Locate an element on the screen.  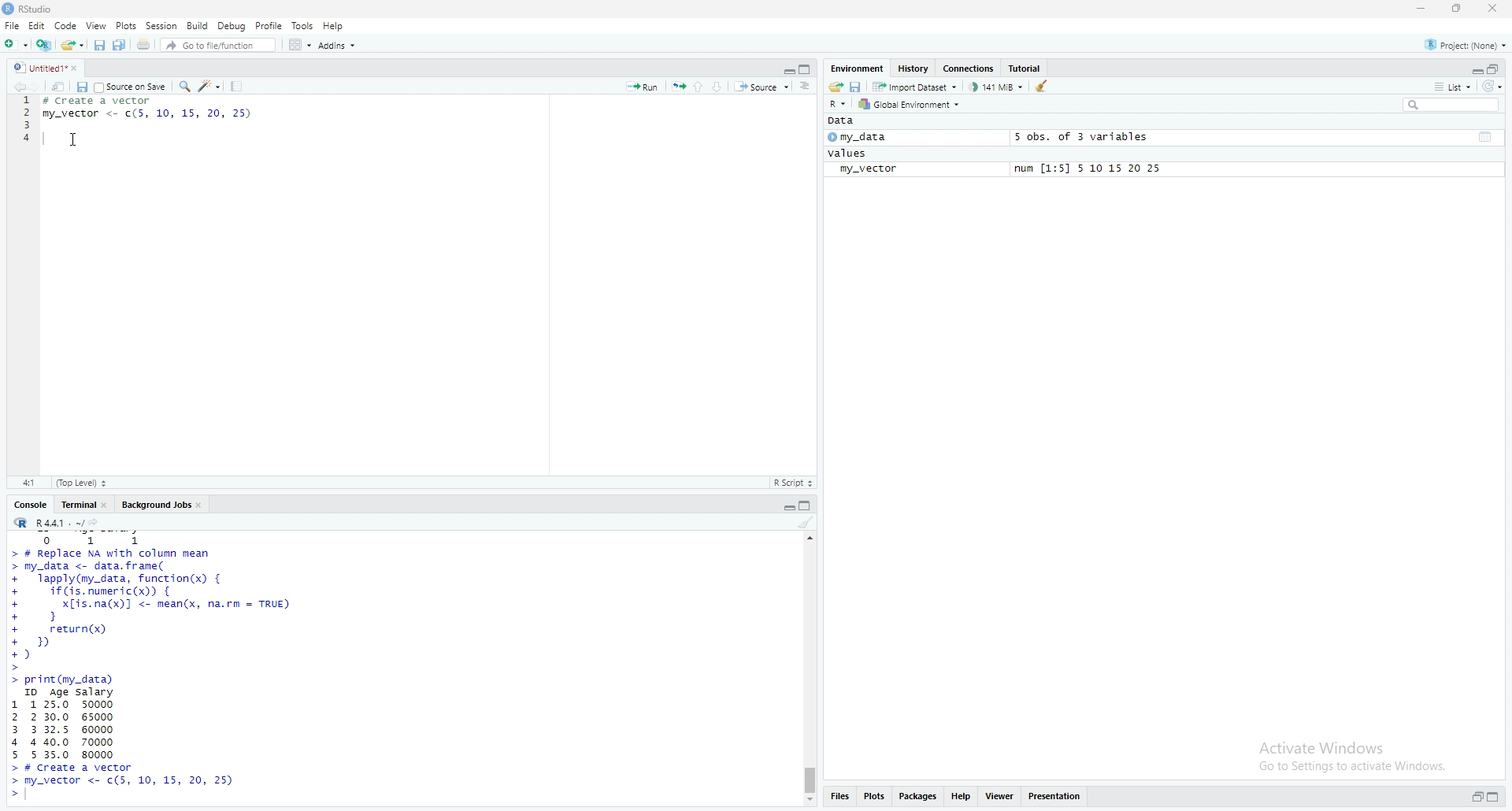
open an existing file is located at coordinates (73, 46).